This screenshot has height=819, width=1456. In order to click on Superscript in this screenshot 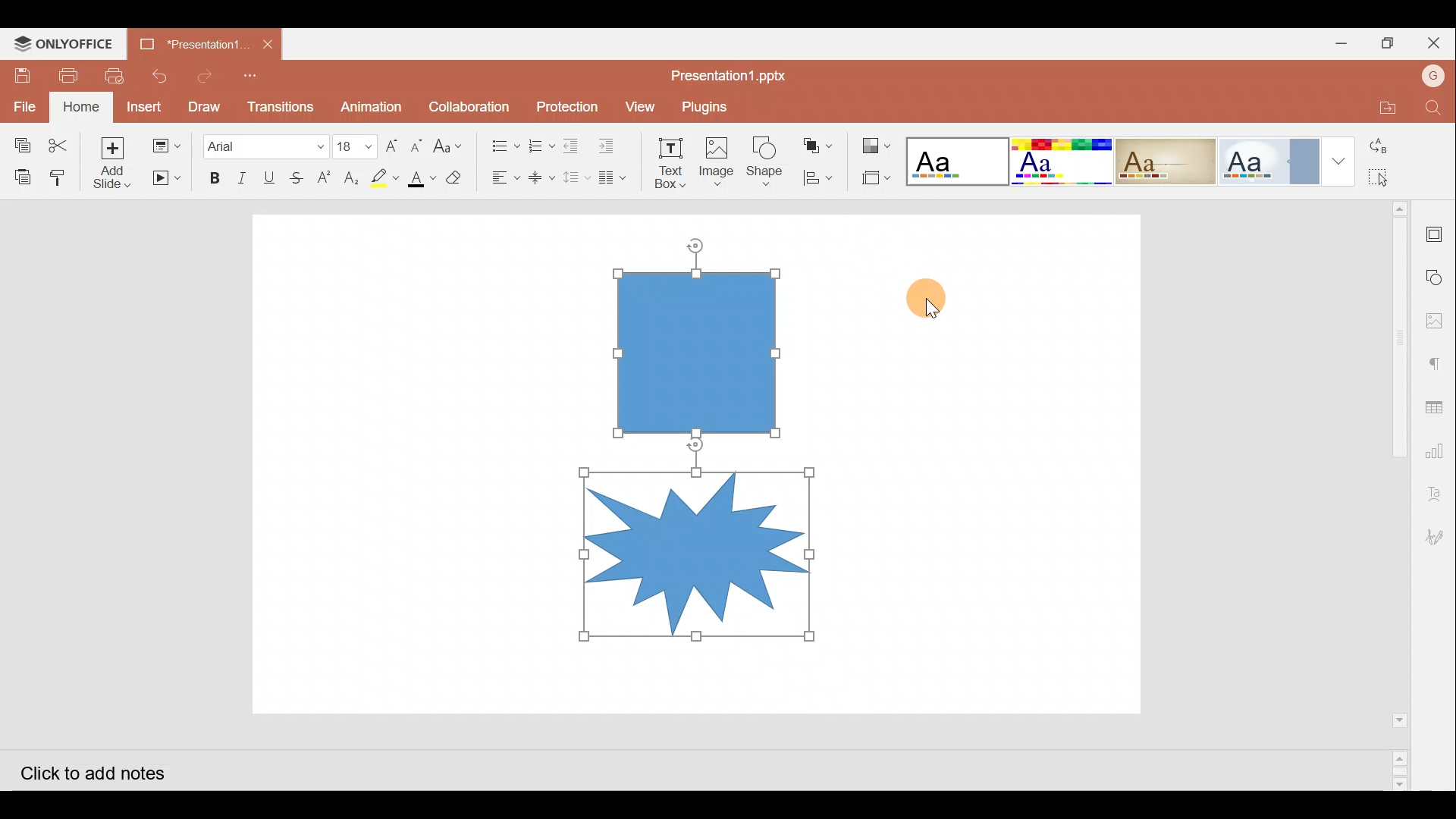, I will do `click(323, 178)`.